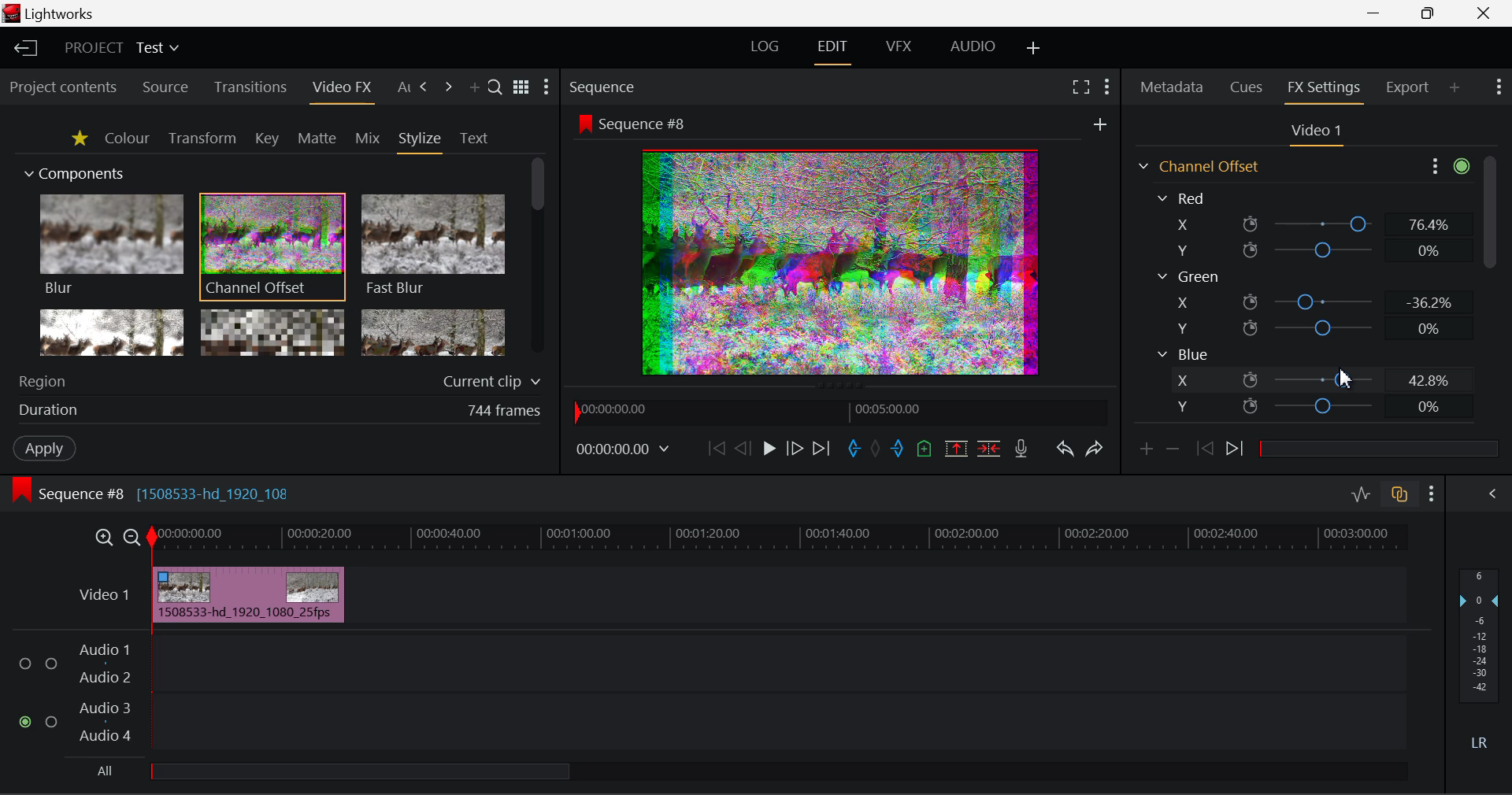  Describe the element at coordinates (434, 246) in the screenshot. I see `Fast Blur` at that location.